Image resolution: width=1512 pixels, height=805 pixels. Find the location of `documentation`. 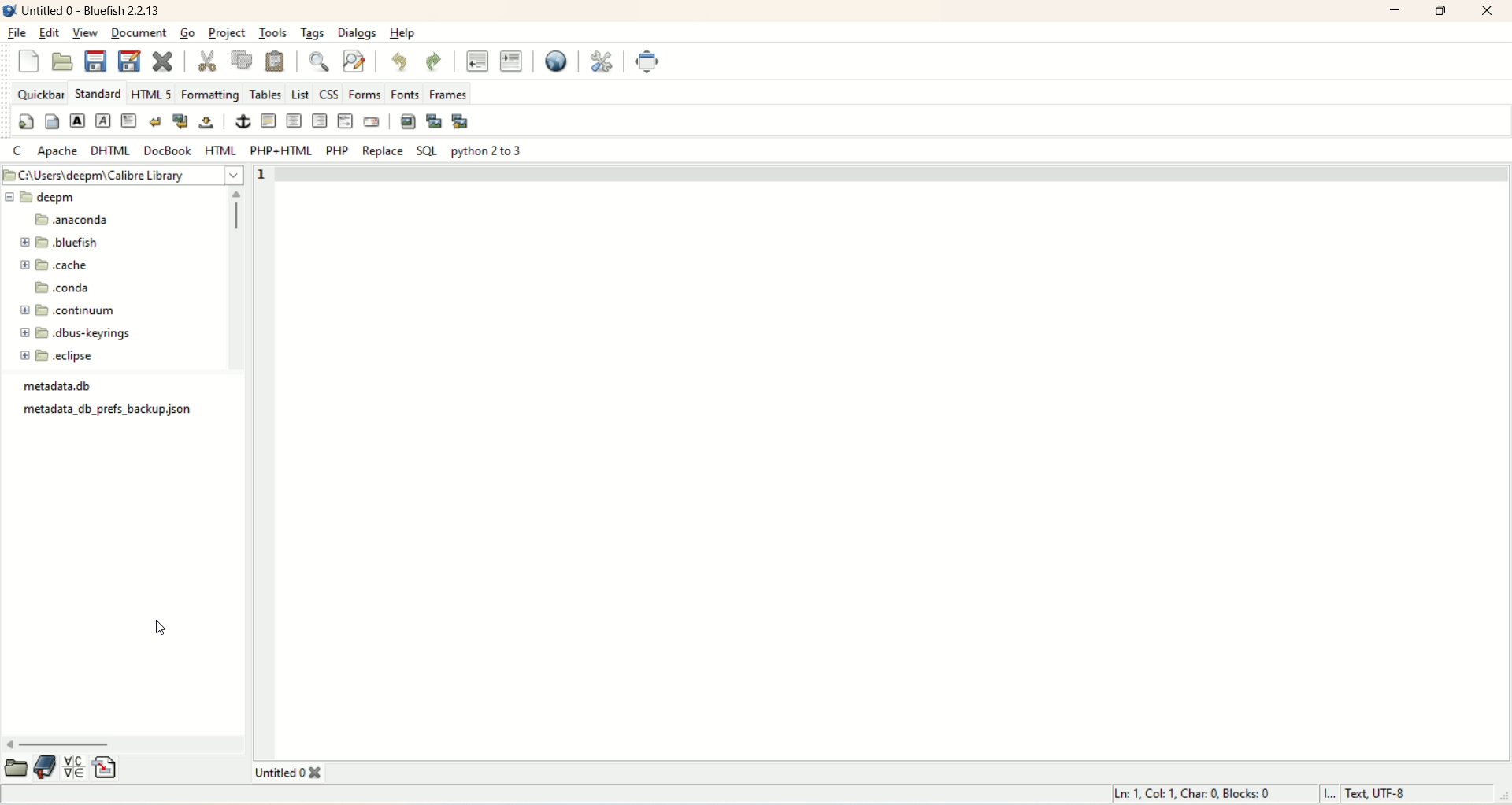

documentation is located at coordinates (46, 767).